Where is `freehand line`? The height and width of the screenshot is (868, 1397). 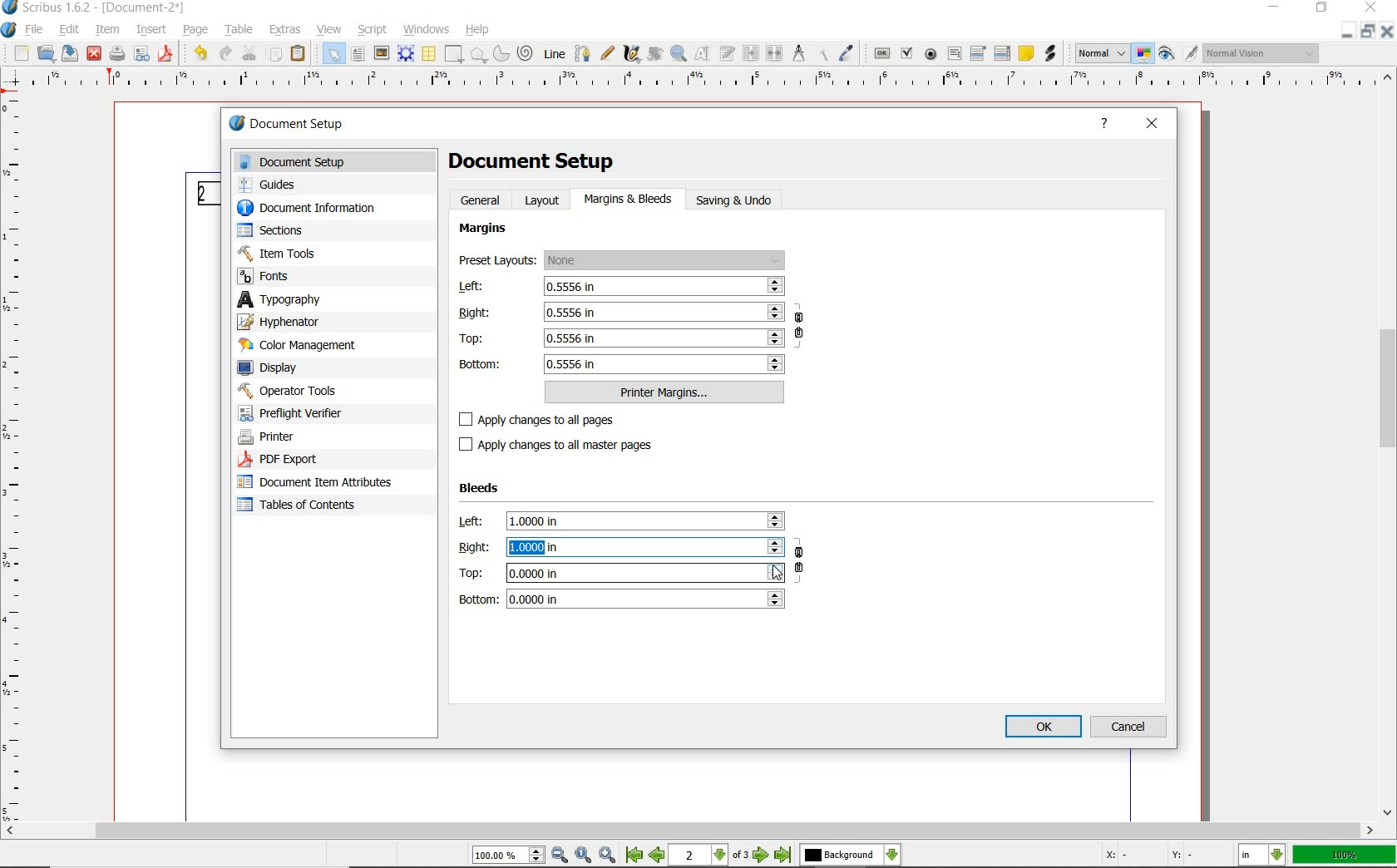
freehand line is located at coordinates (608, 54).